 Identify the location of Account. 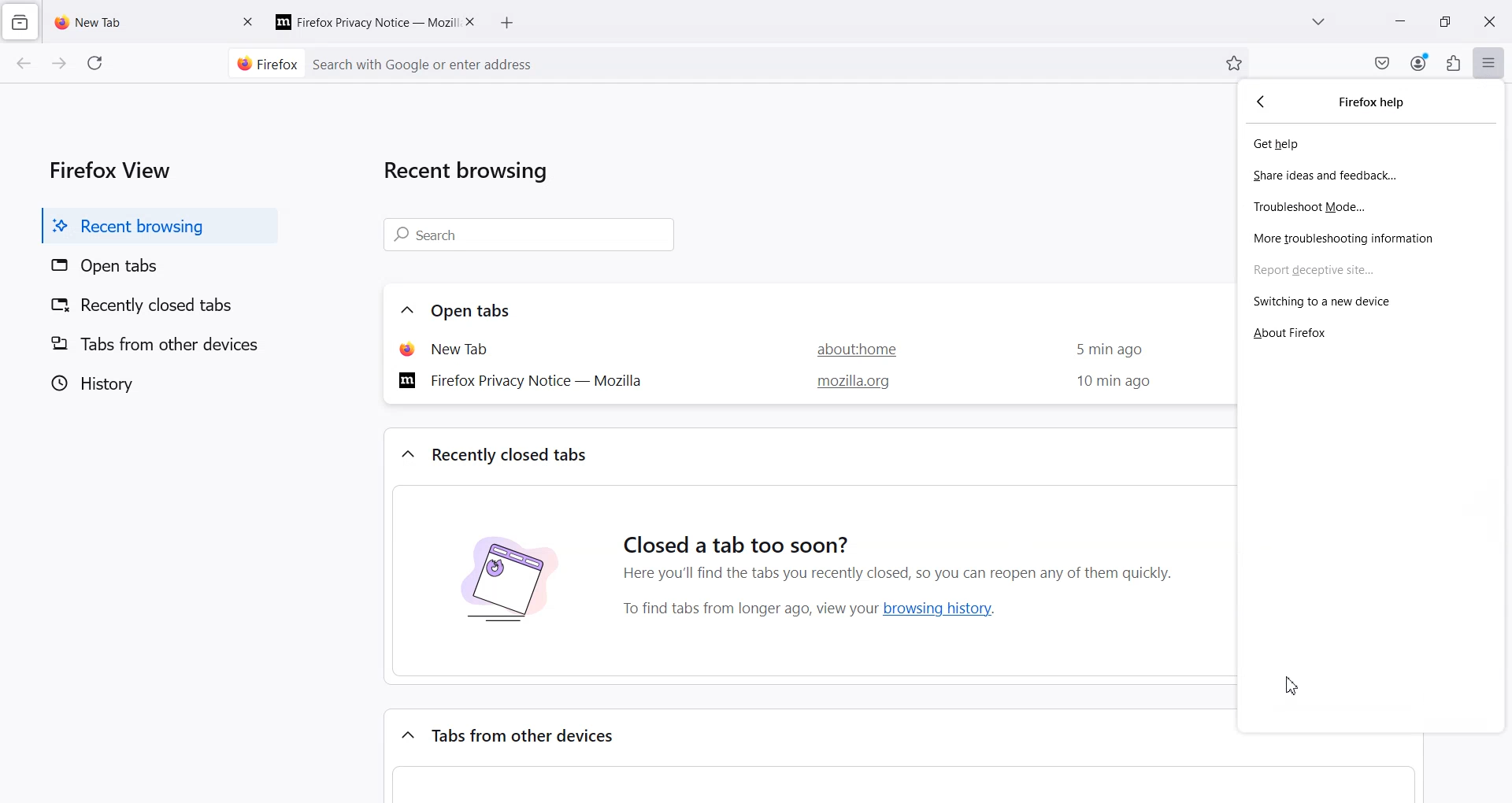
(1420, 61).